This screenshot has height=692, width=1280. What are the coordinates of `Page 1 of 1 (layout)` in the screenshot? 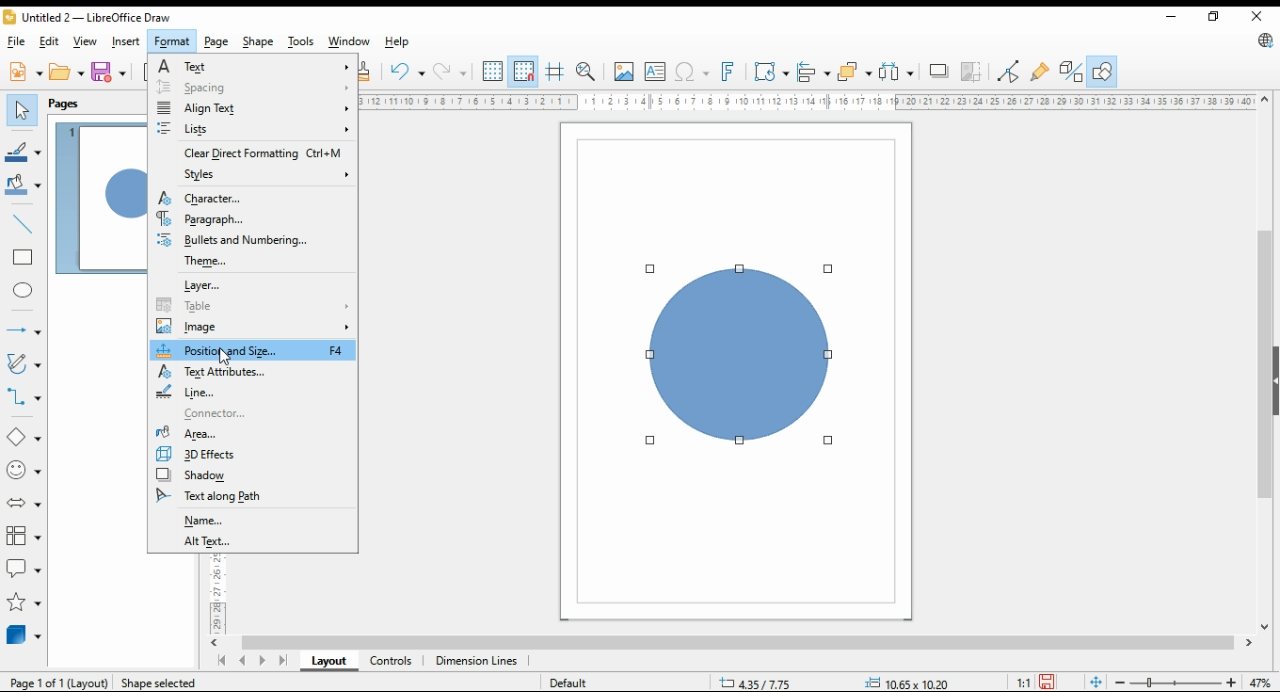 It's located at (60, 684).